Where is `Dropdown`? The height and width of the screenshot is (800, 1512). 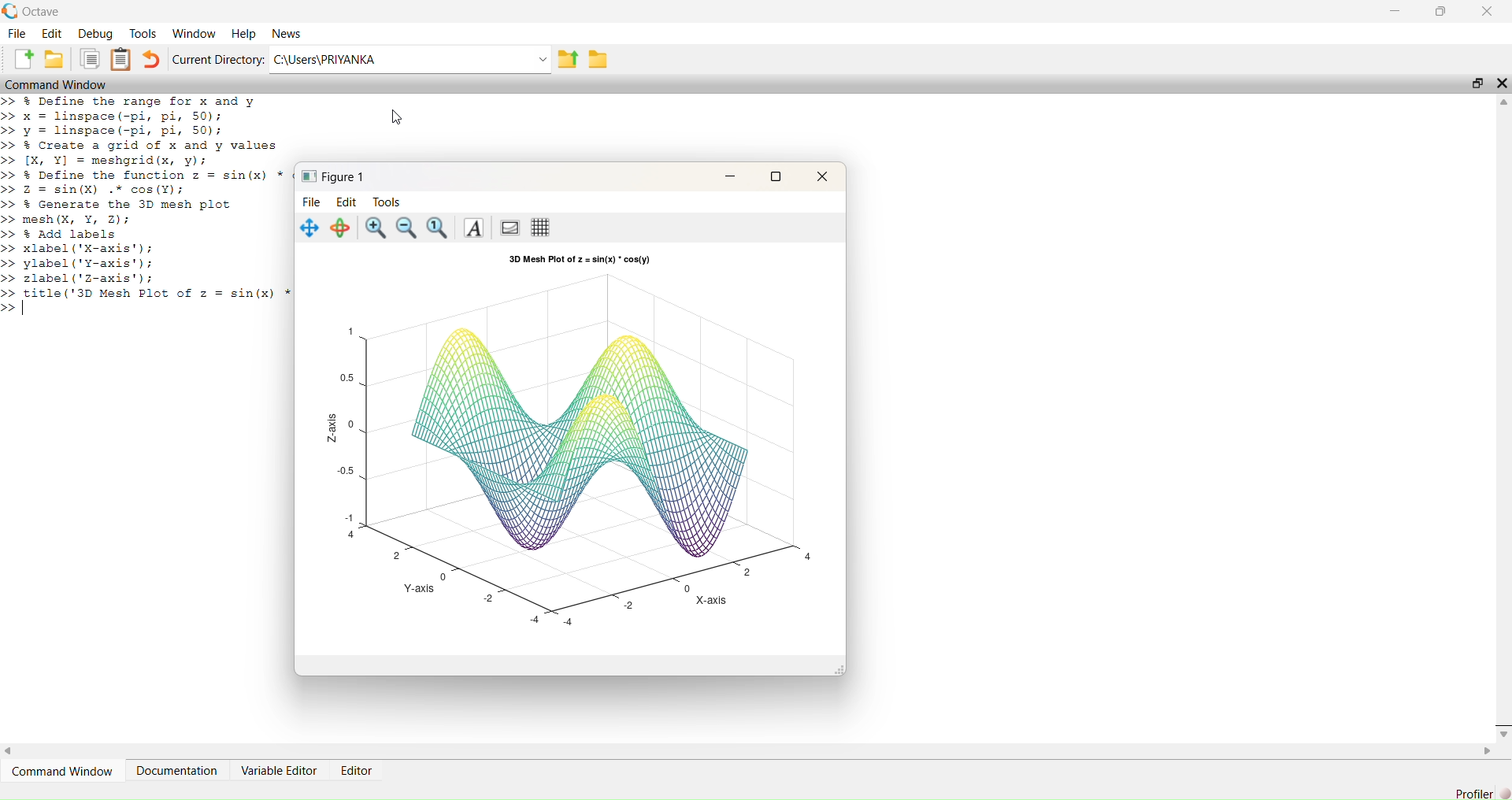
Dropdown is located at coordinates (545, 59).